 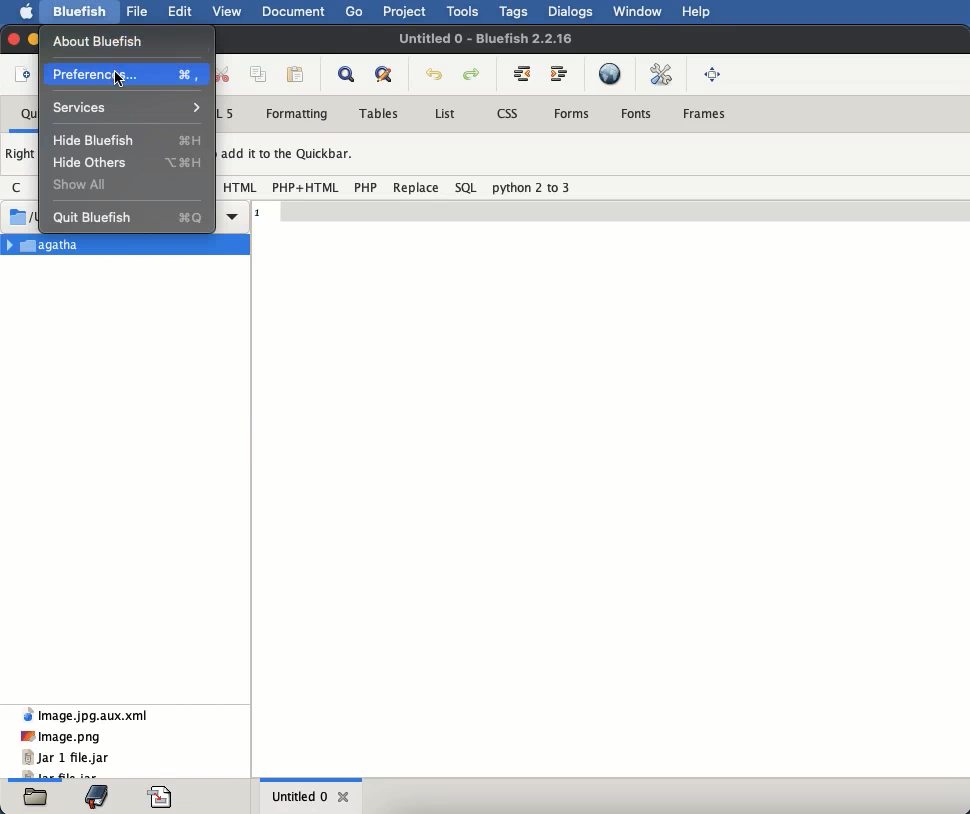 I want to click on Cursor, so click(x=120, y=81).